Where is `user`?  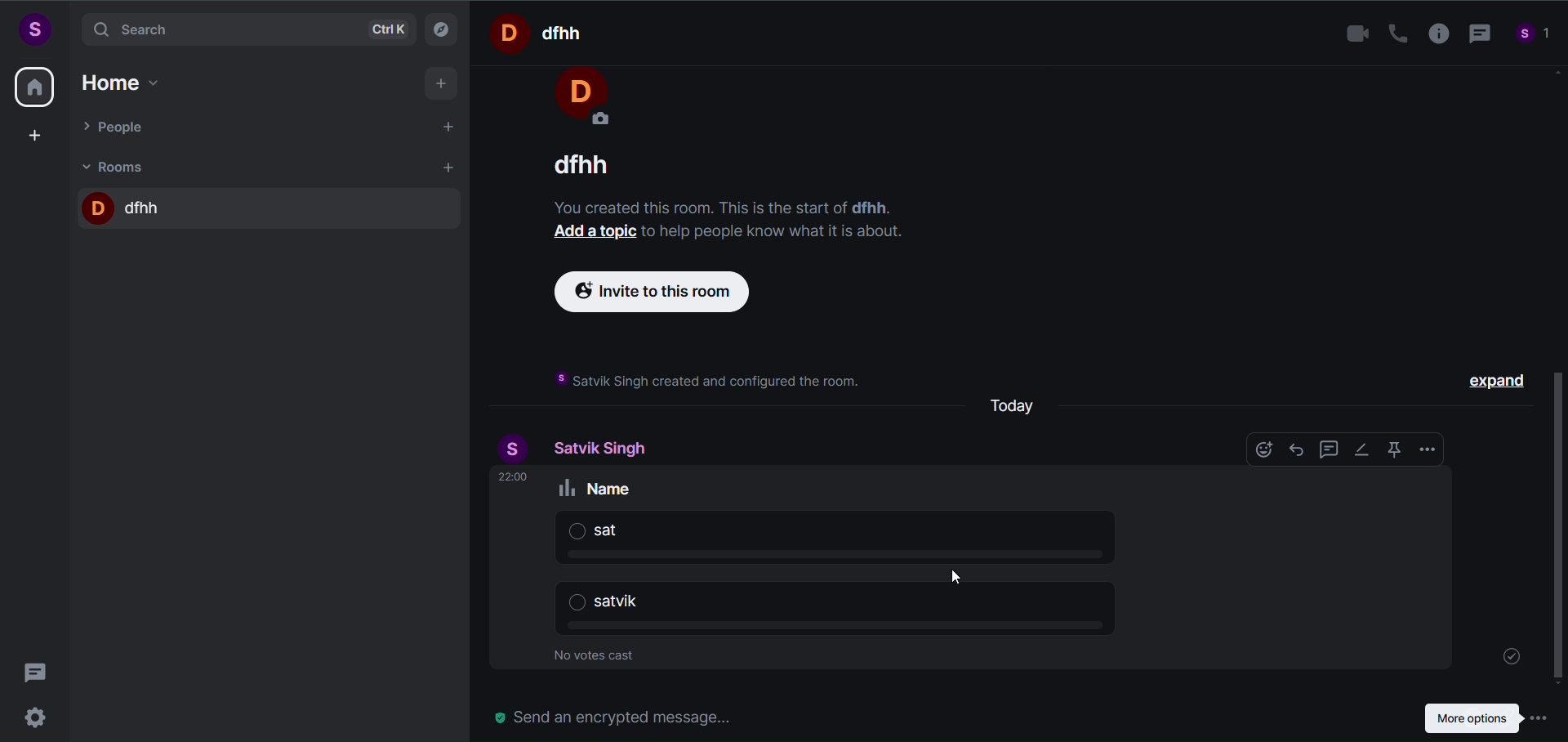 user is located at coordinates (516, 449).